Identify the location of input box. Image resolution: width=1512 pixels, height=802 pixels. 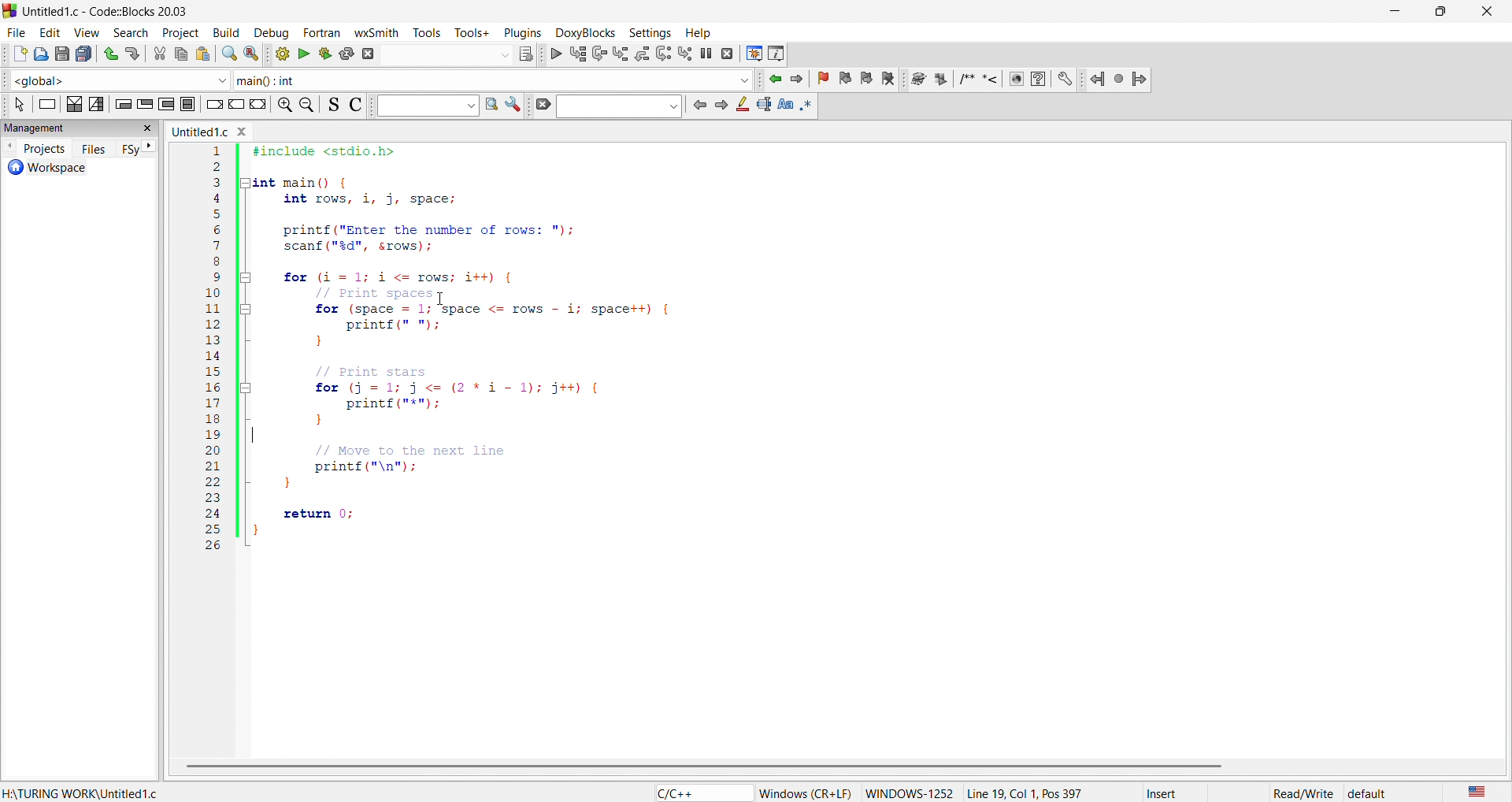
(443, 53).